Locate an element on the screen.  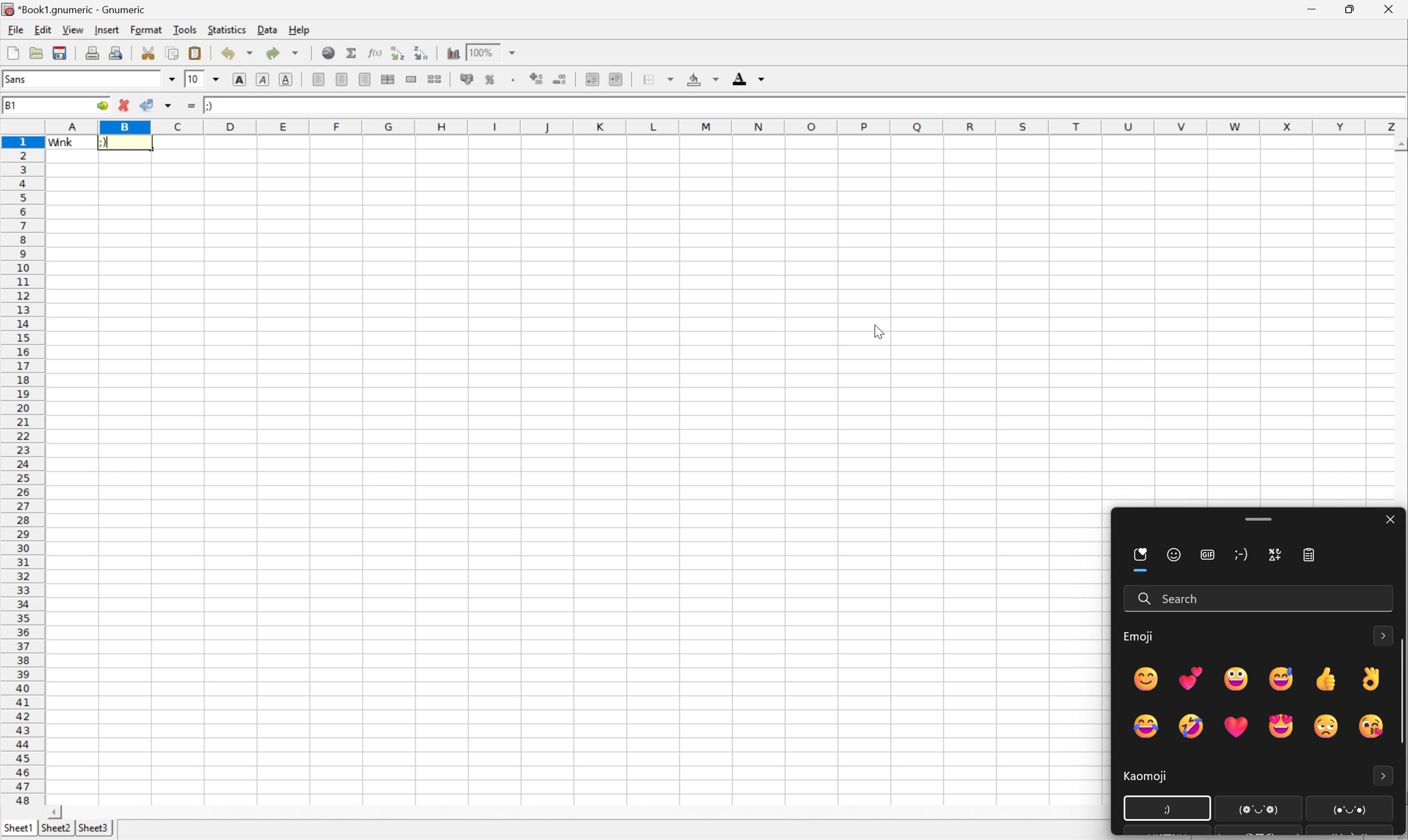
cut is located at coordinates (148, 53).